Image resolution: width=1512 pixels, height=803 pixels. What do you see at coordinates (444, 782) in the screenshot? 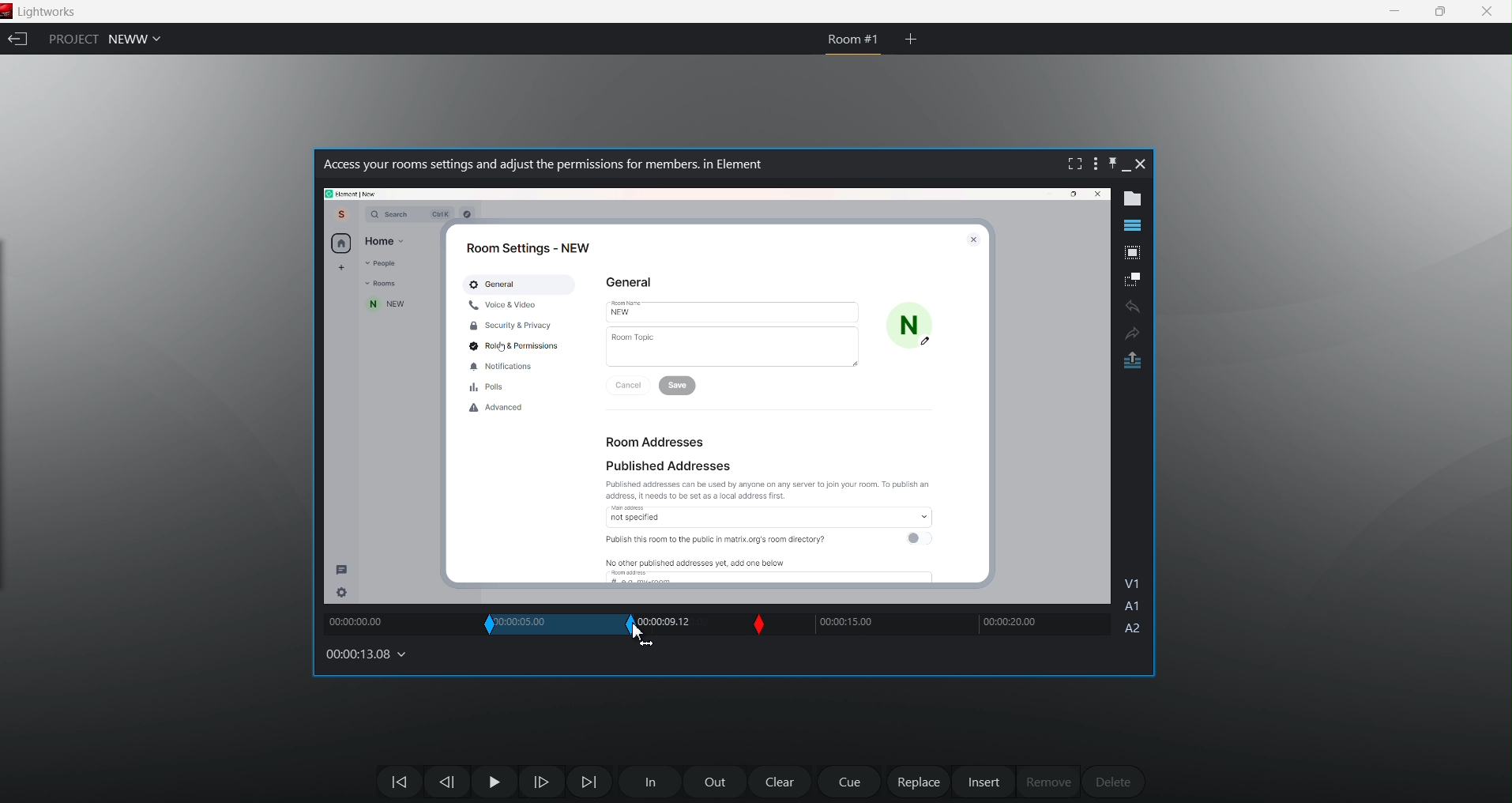
I see `Move one frame back` at bounding box center [444, 782].